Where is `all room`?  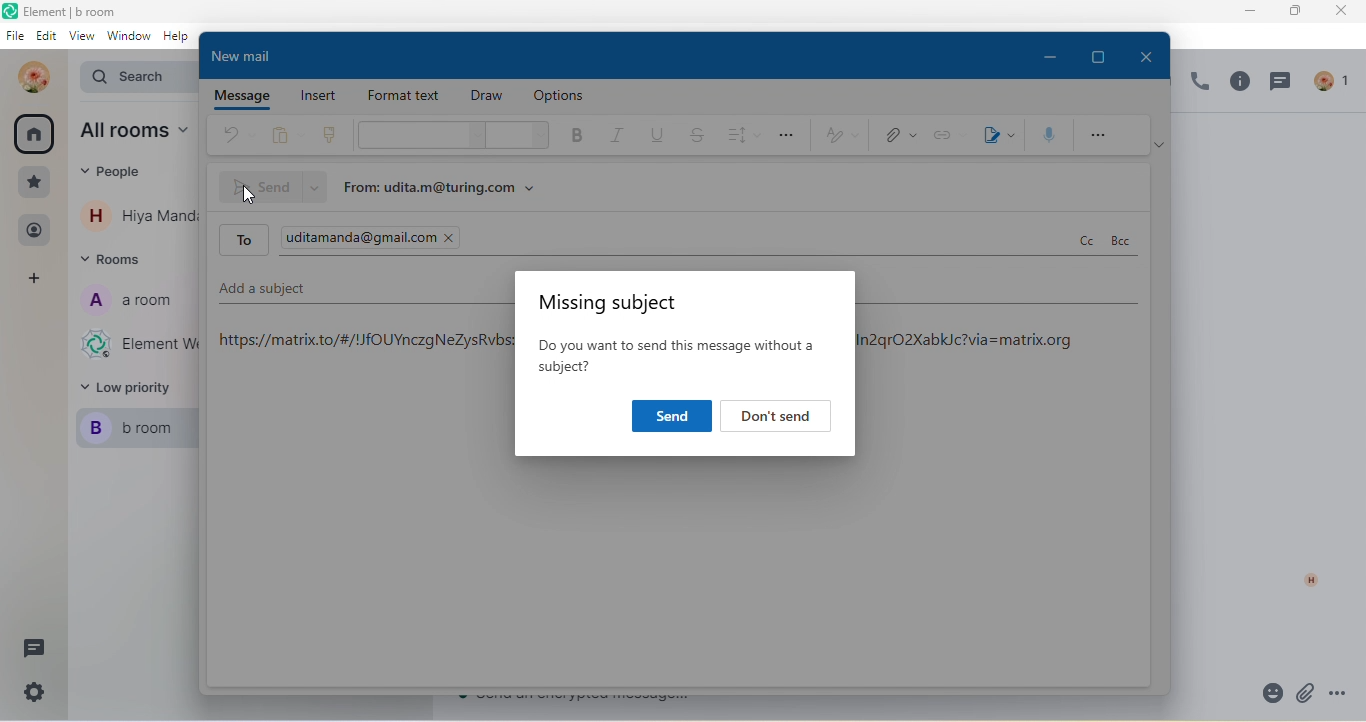
all room is located at coordinates (35, 138).